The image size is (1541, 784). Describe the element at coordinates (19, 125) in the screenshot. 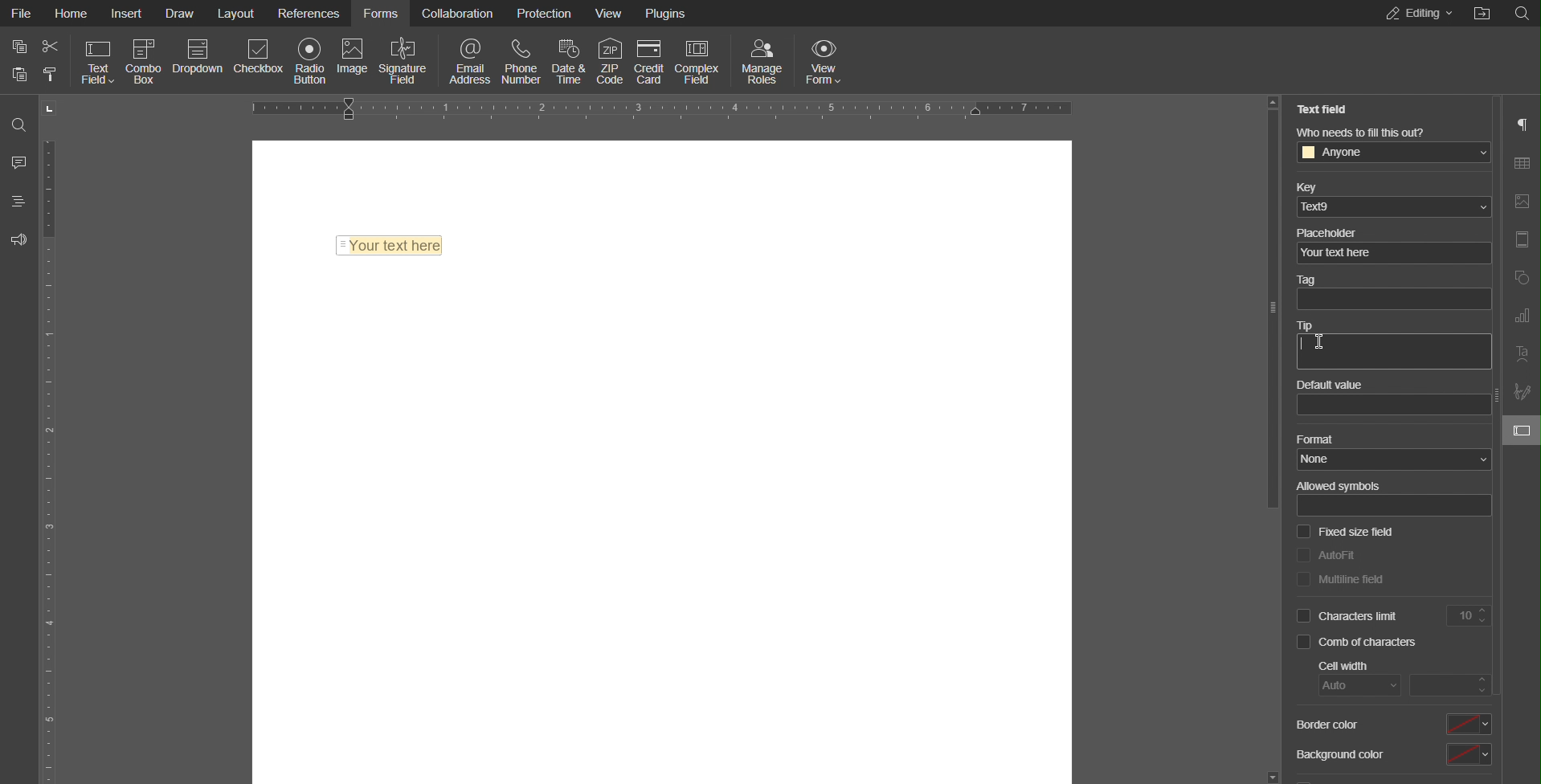

I see `Search` at that location.